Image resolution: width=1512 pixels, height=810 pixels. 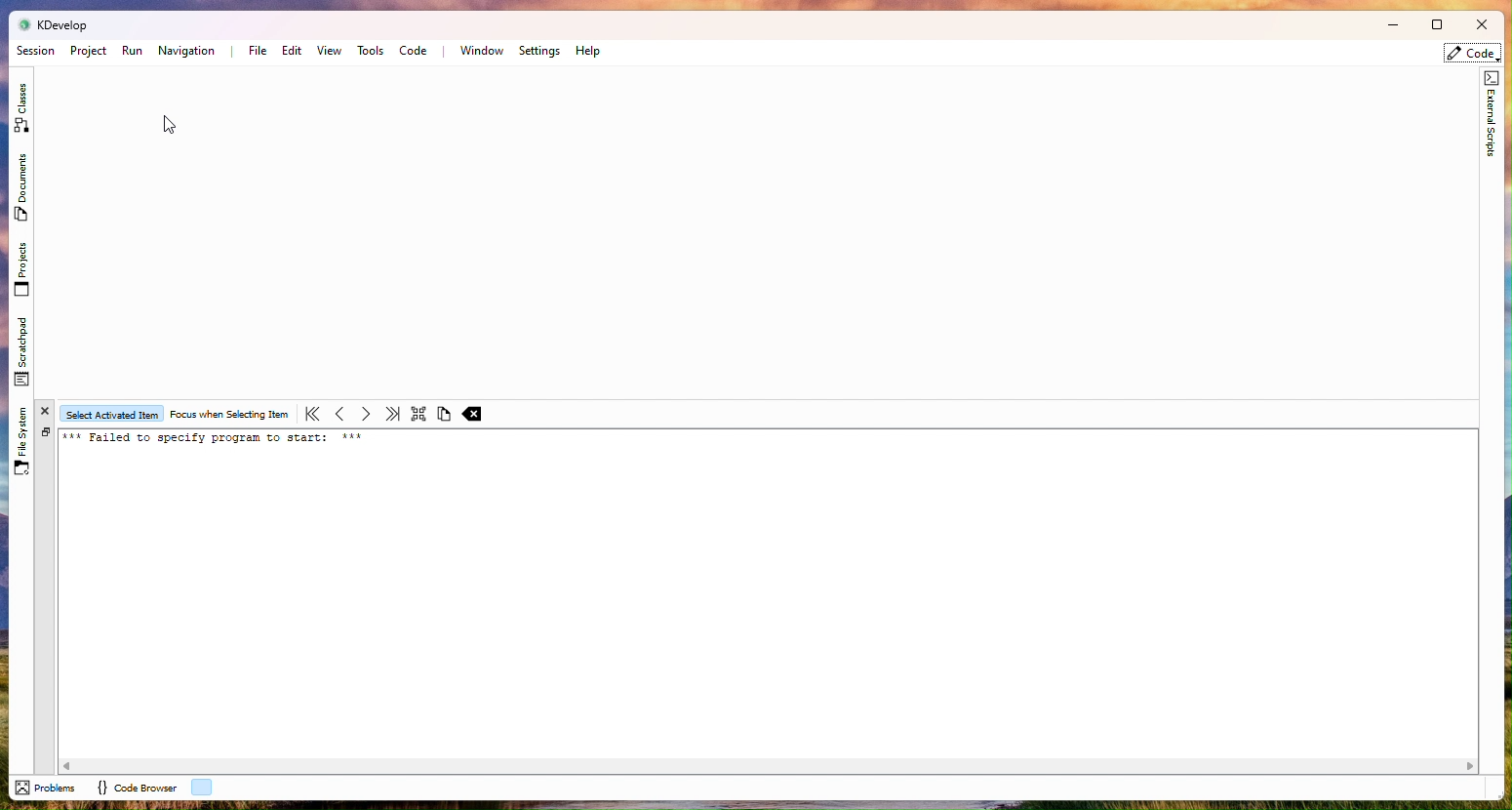 What do you see at coordinates (25, 350) in the screenshot?
I see `Scratchpad` at bounding box center [25, 350].